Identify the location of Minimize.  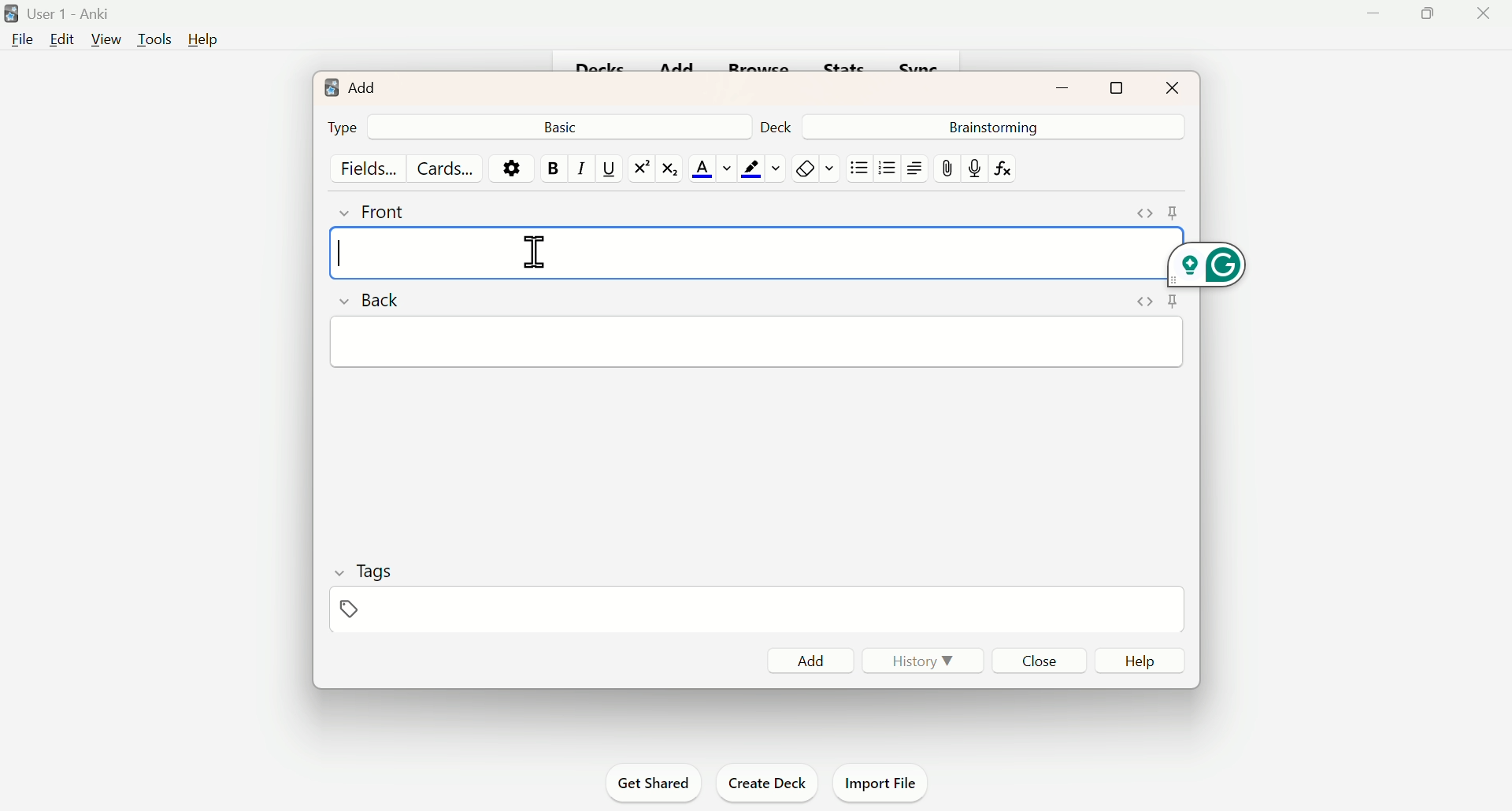
(1065, 86).